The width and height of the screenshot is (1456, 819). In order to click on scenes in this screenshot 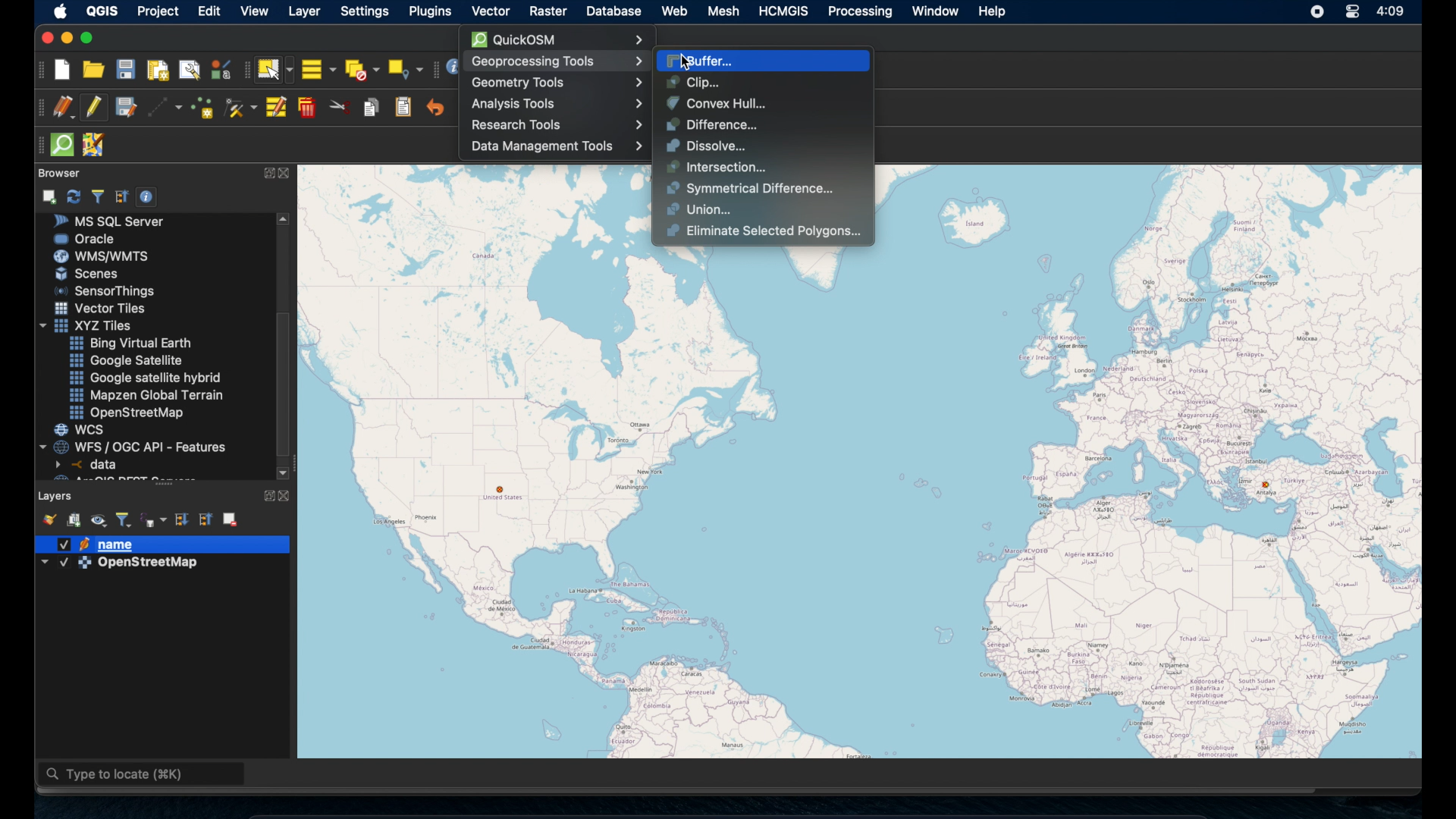, I will do `click(93, 275)`.